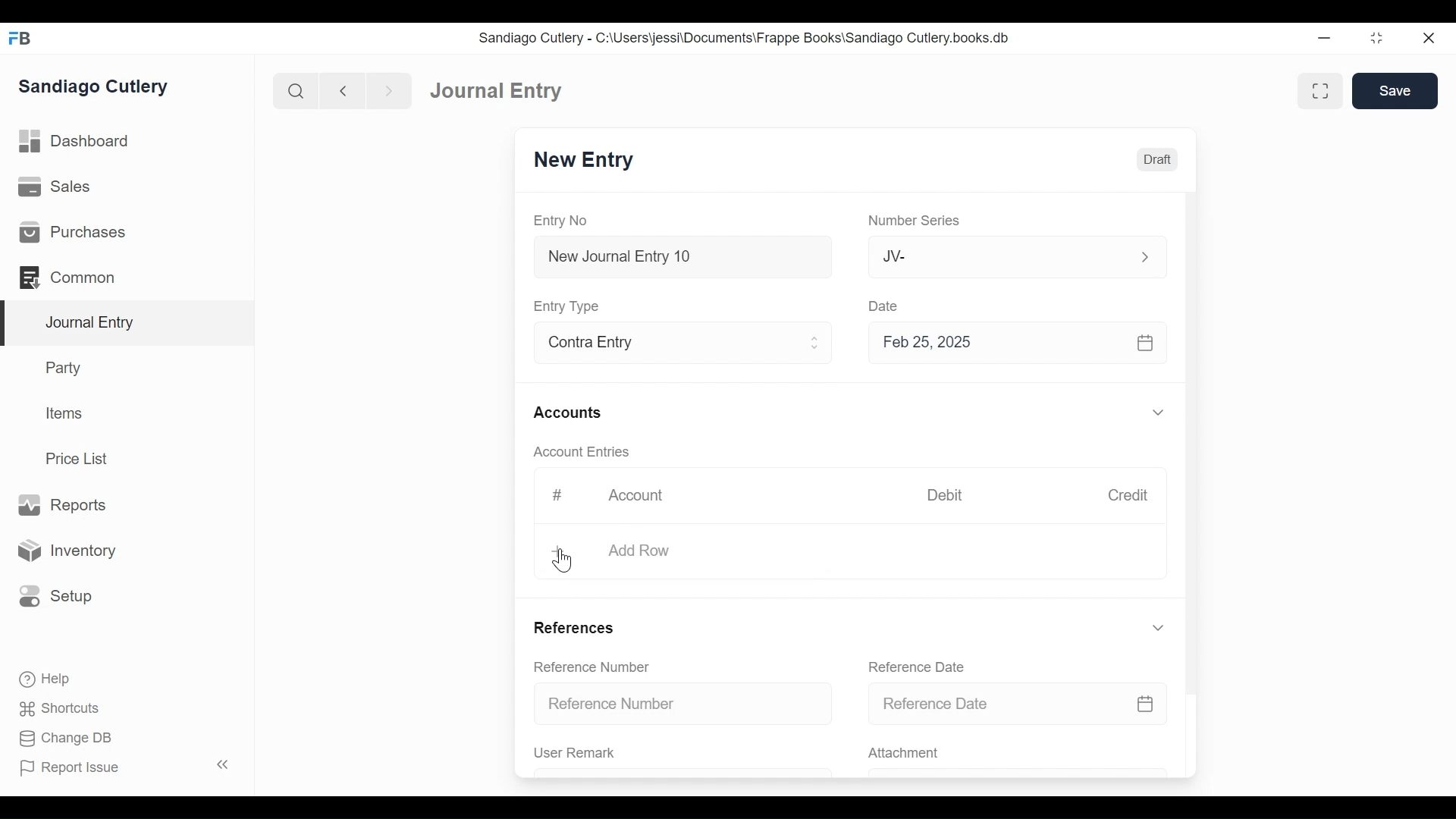 Image resolution: width=1456 pixels, height=819 pixels. I want to click on Reference Number, so click(595, 668).